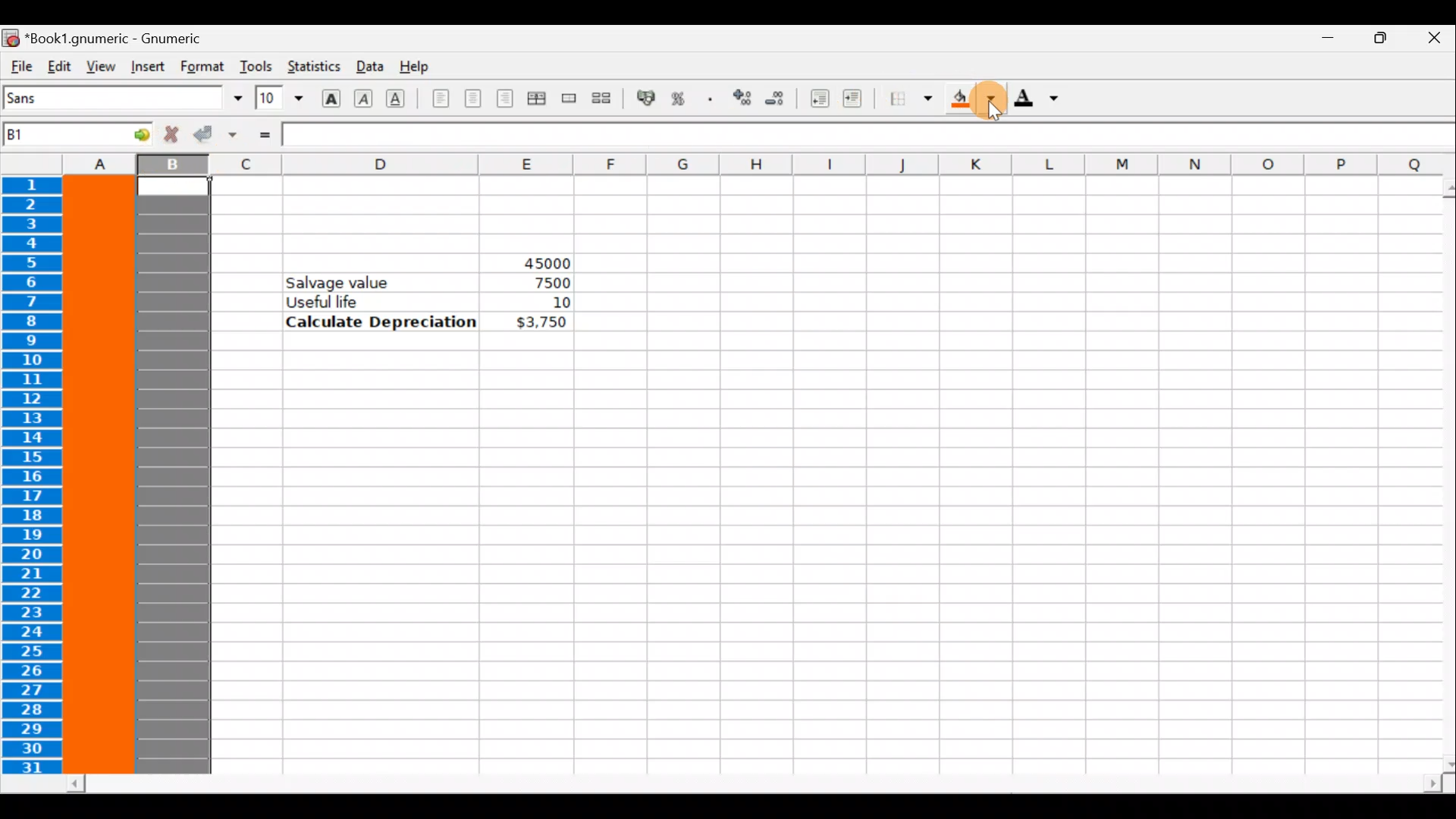  What do you see at coordinates (798, 571) in the screenshot?
I see `Cells` at bounding box center [798, 571].